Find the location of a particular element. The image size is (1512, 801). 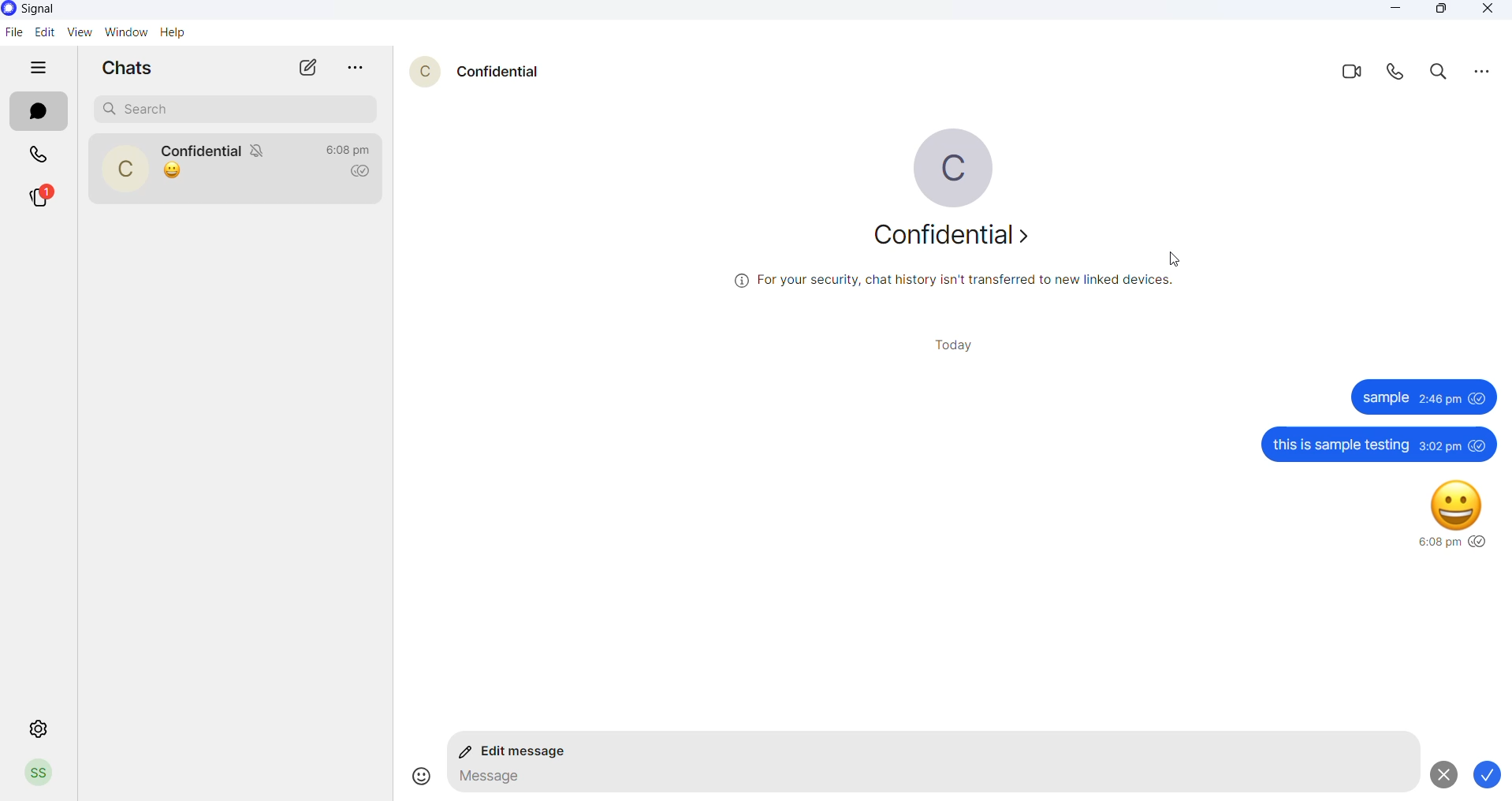

profile picture is located at coordinates (942, 170).